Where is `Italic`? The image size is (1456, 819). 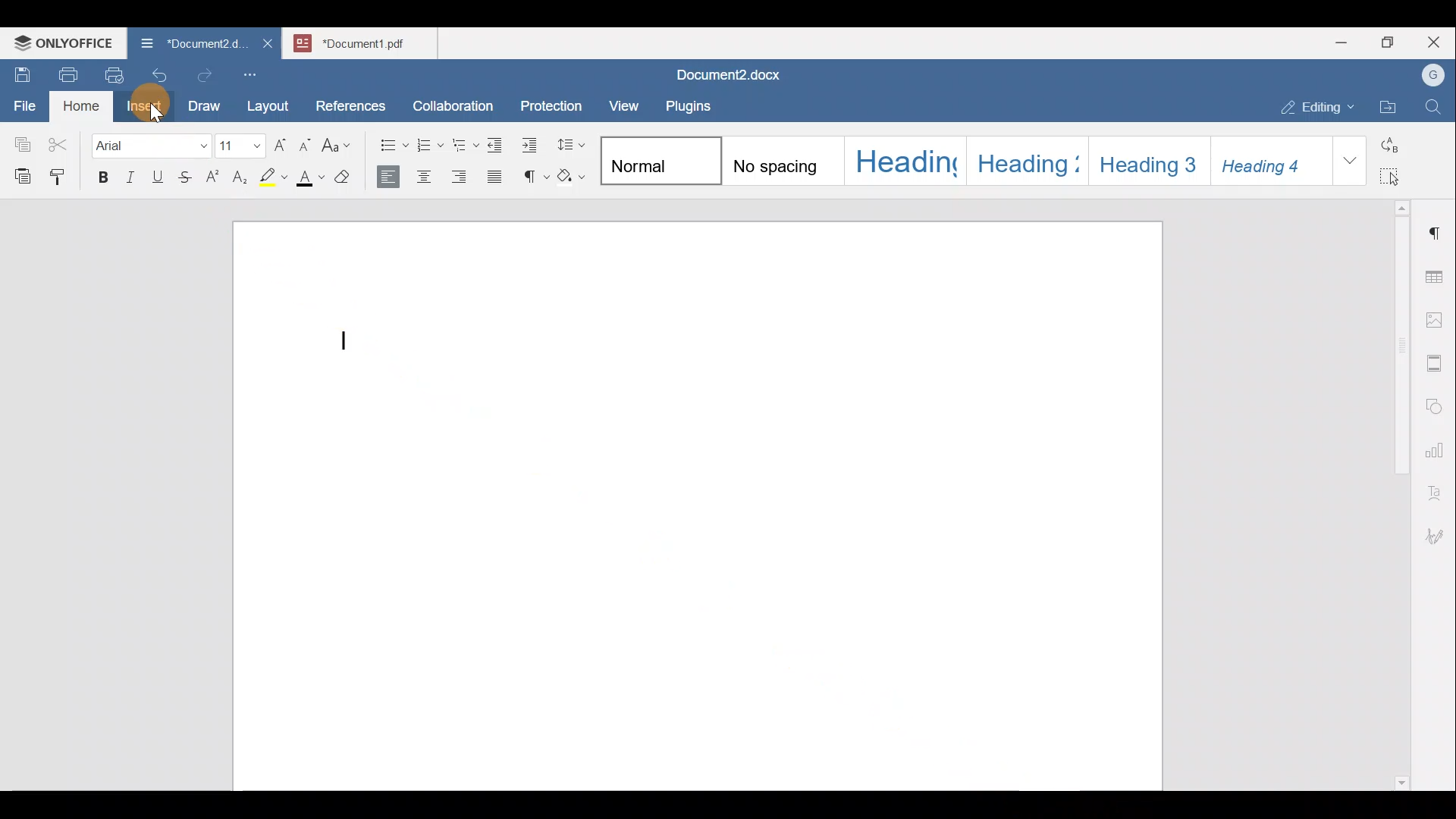
Italic is located at coordinates (129, 177).